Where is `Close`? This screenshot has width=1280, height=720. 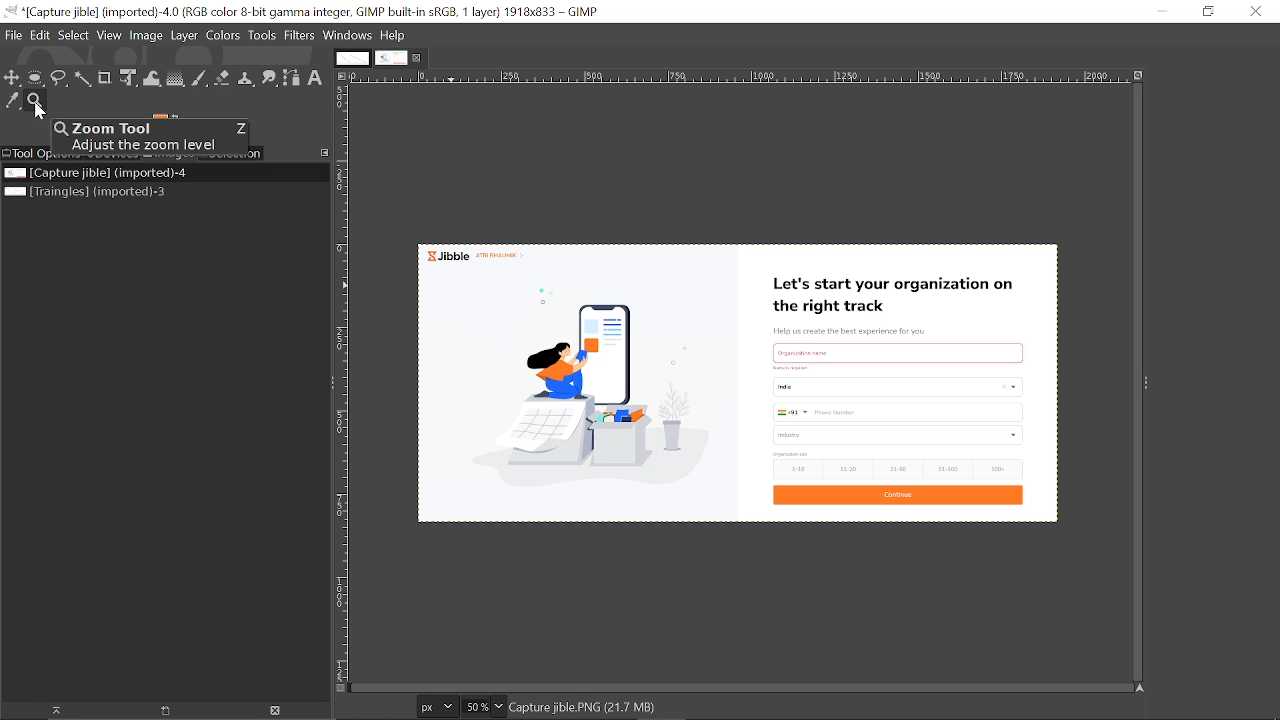 Close is located at coordinates (418, 59).